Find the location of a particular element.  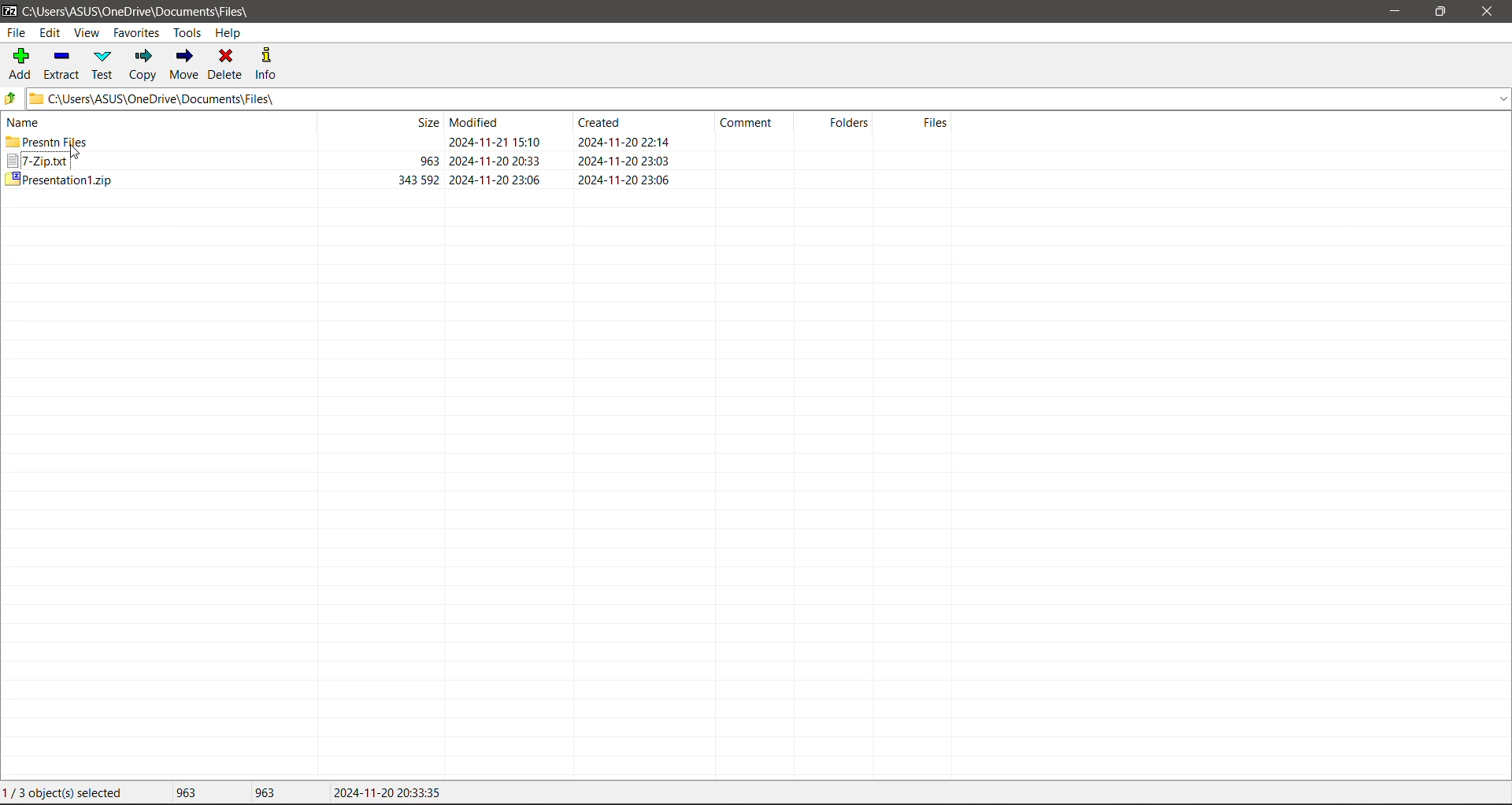

Folders is located at coordinates (843, 121).